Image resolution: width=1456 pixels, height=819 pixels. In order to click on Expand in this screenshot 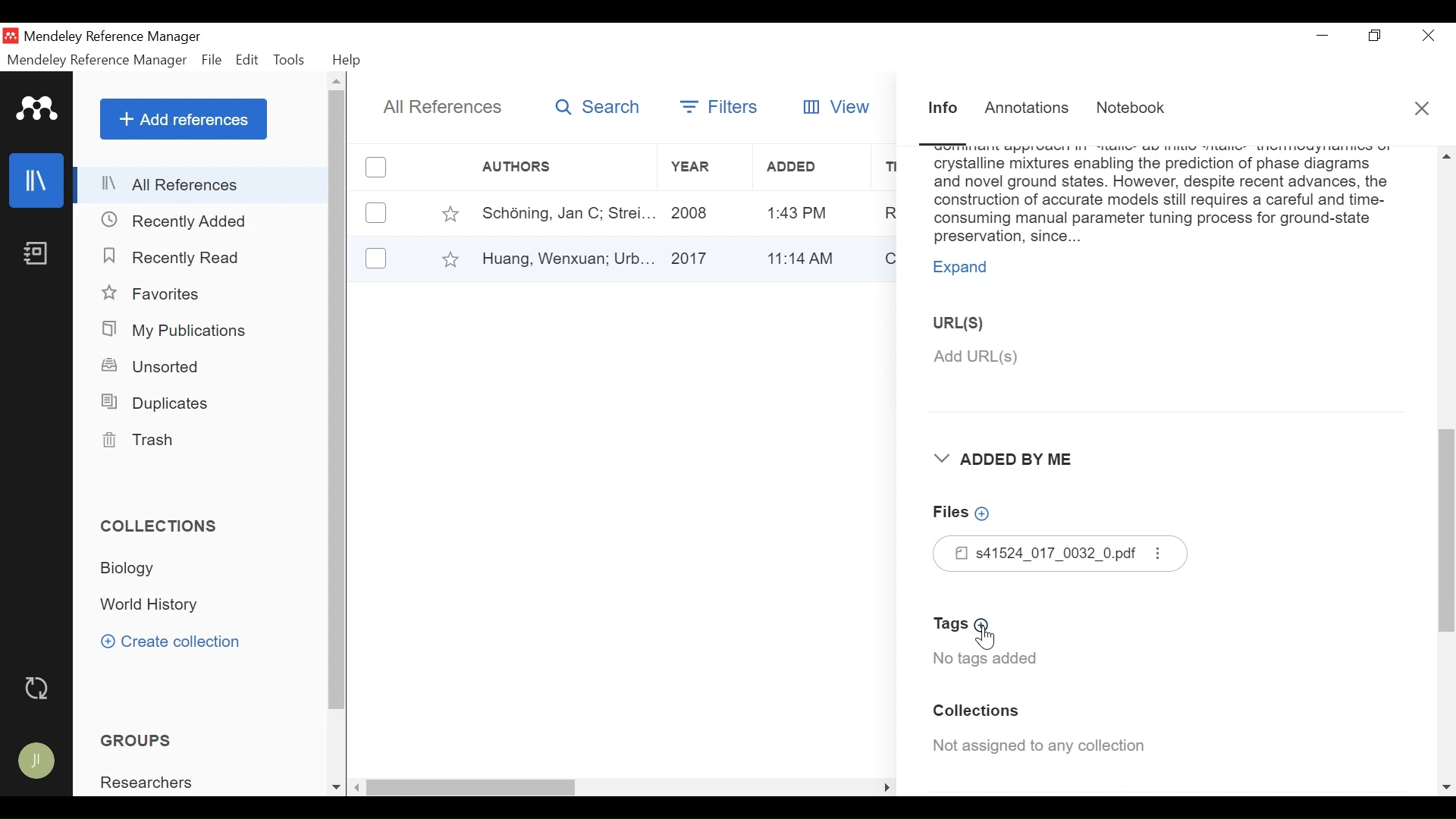, I will do `click(966, 269)`.